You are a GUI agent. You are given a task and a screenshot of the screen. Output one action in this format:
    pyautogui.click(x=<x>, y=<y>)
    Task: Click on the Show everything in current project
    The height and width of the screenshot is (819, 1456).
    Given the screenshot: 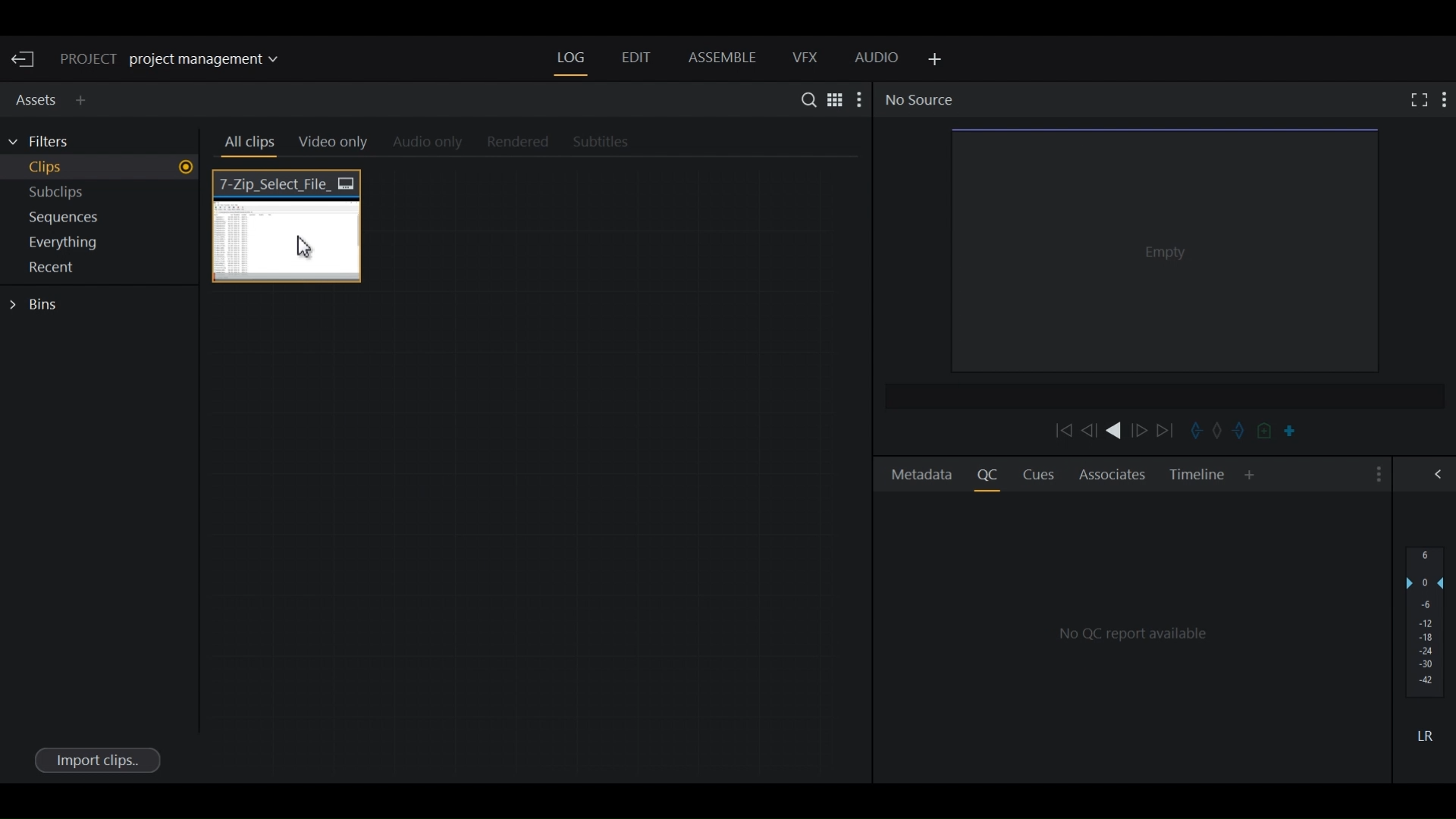 What is the action you would take?
    pyautogui.click(x=103, y=244)
    